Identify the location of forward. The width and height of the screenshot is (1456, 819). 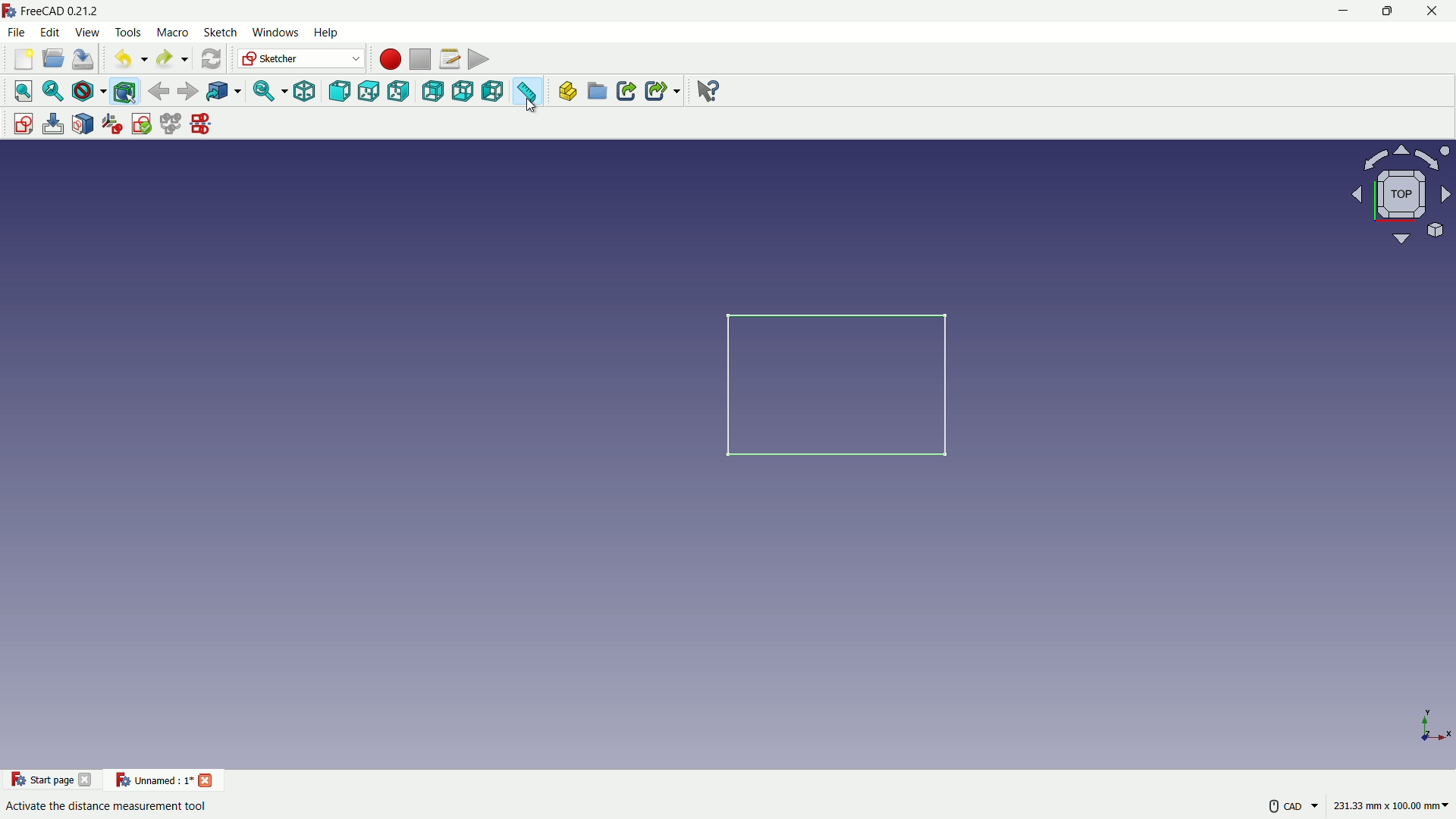
(187, 91).